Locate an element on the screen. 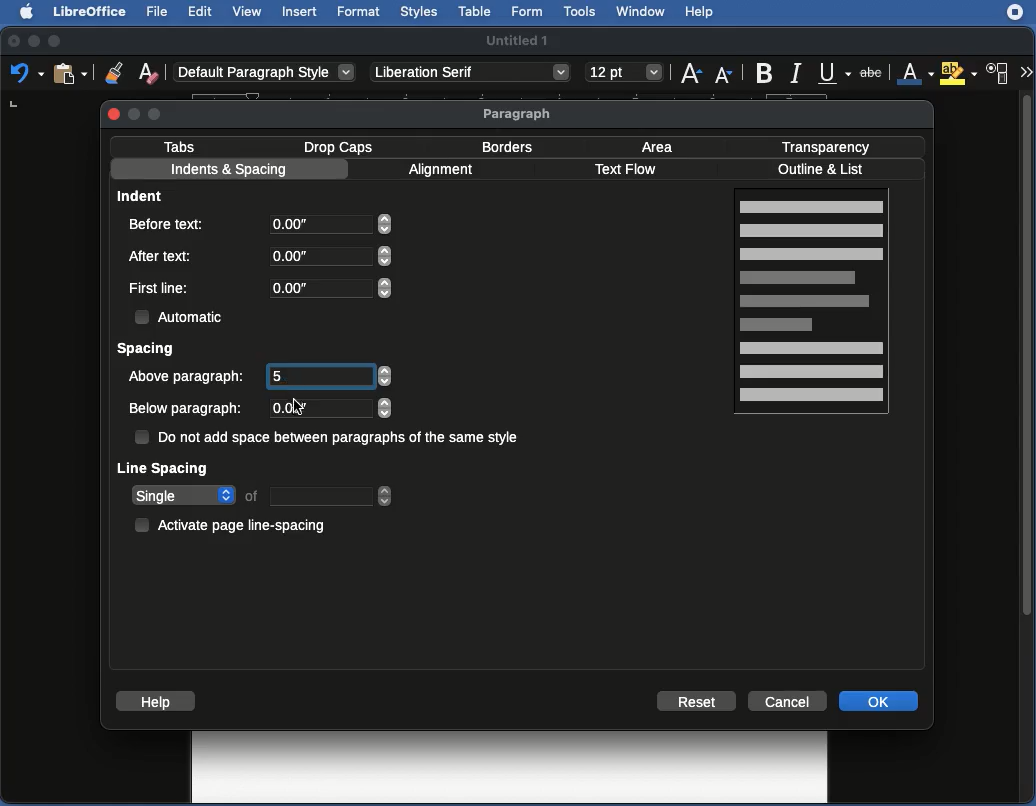  Close is located at coordinates (114, 113).